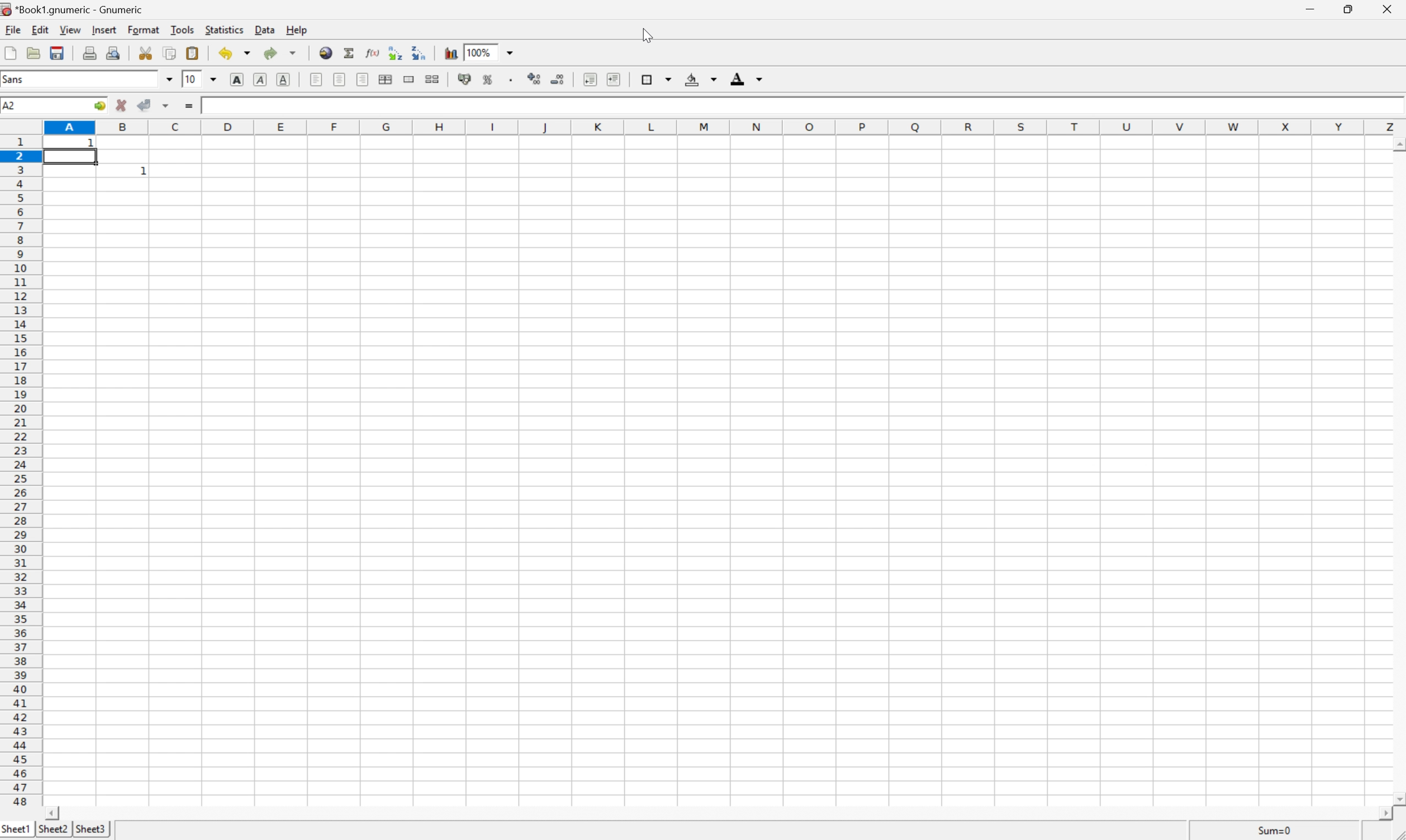  I want to click on scroll left, so click(54, 813).